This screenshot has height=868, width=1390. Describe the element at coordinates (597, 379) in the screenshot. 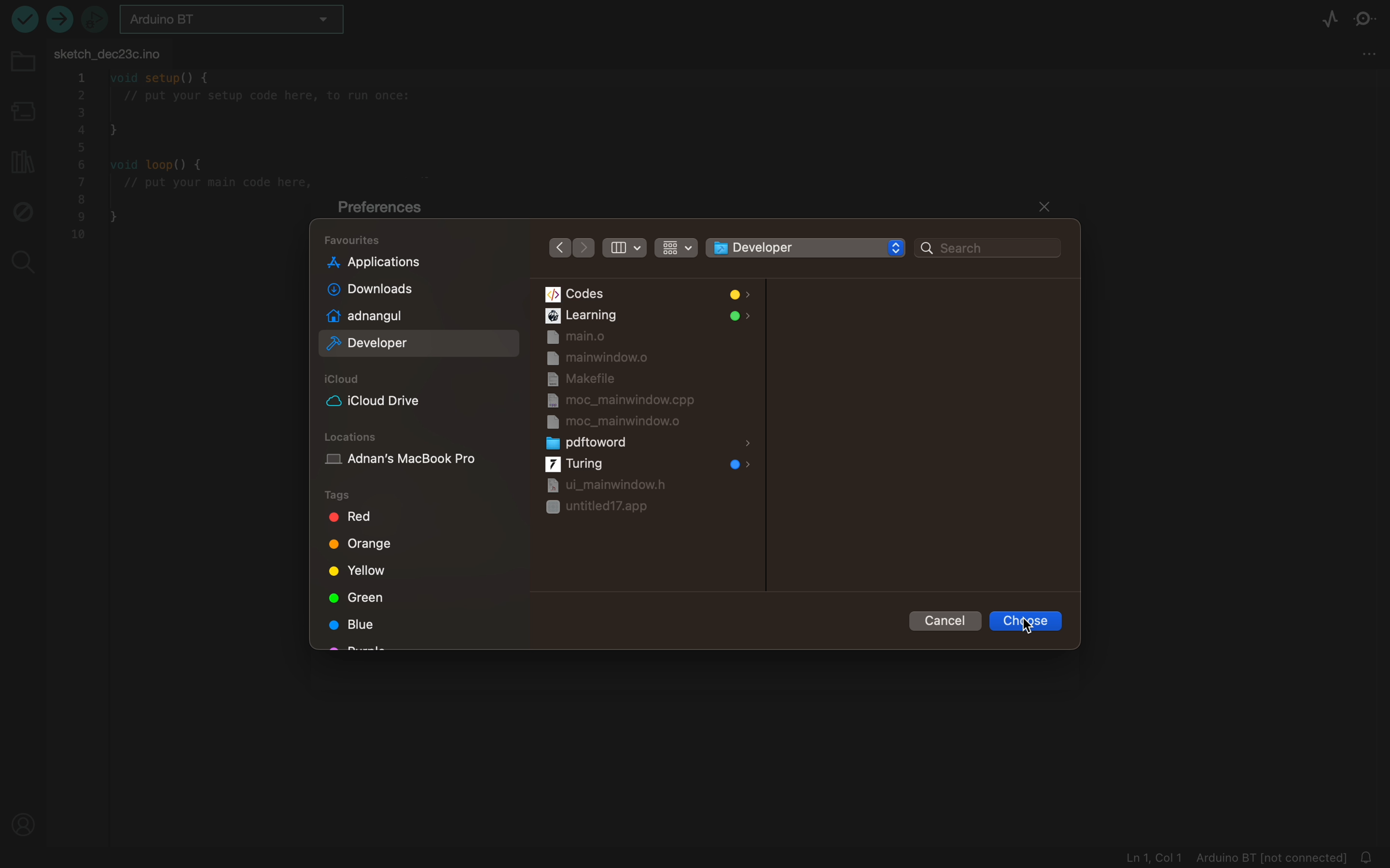

I see `makefile` at that location.